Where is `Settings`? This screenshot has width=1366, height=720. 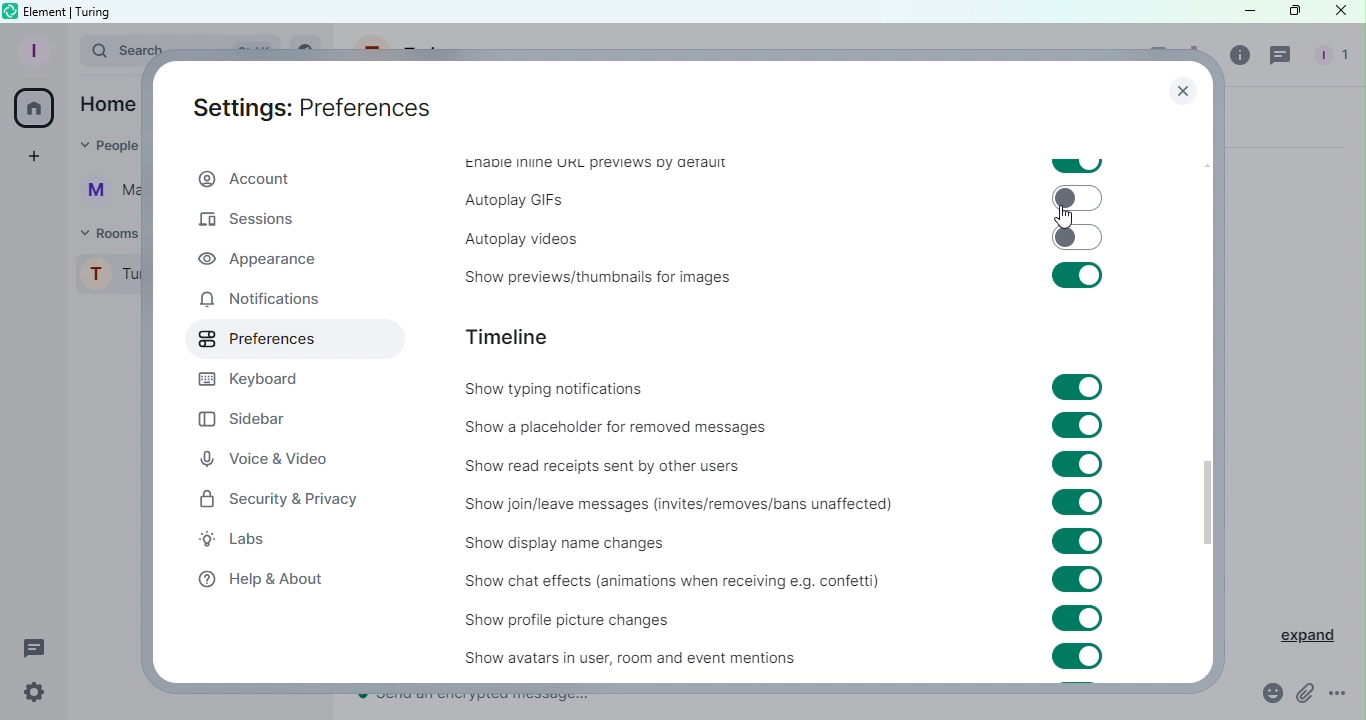 Settings is located at coordinates (34, 693).